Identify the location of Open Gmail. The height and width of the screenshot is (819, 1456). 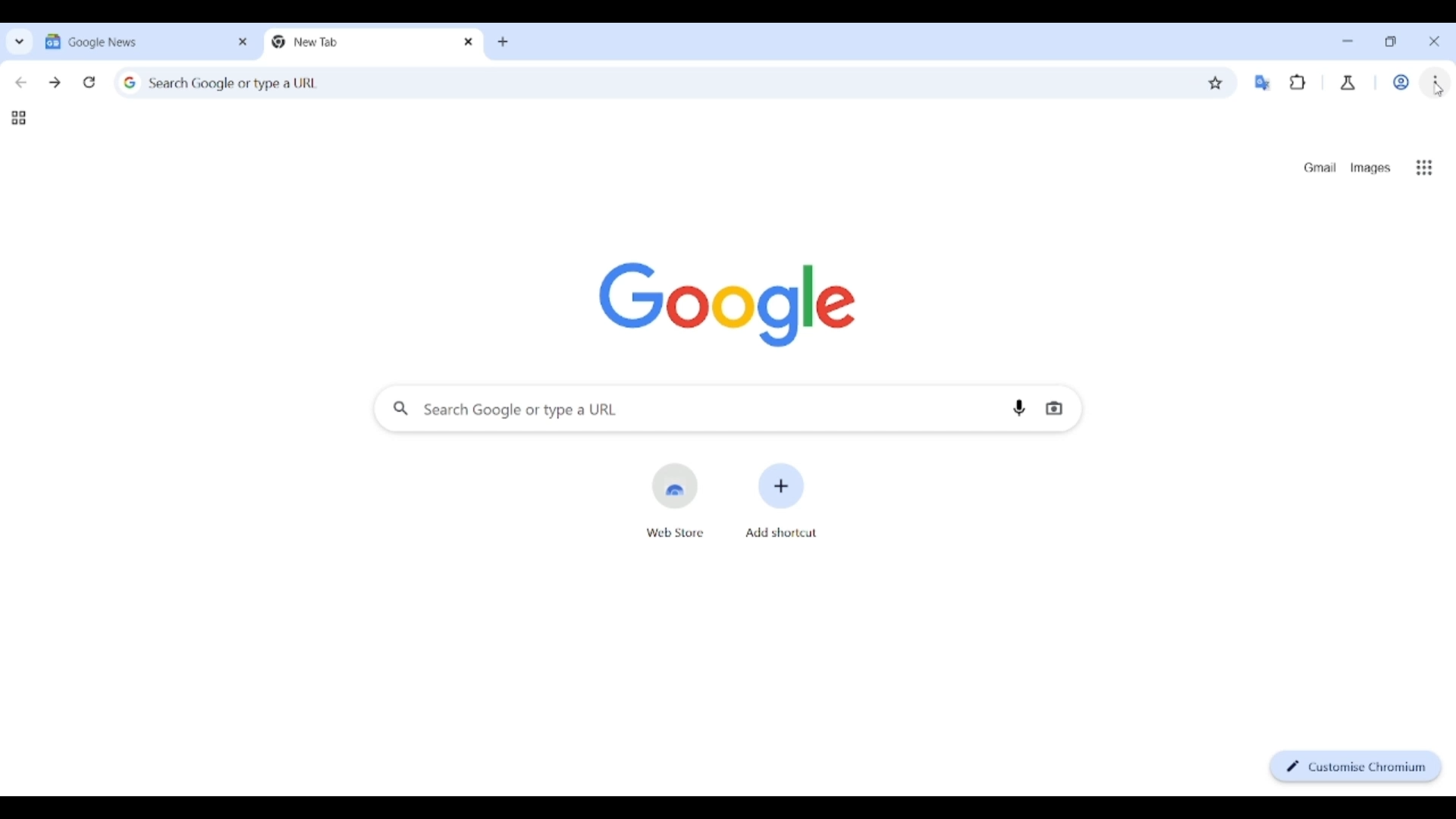
(1319, 168).